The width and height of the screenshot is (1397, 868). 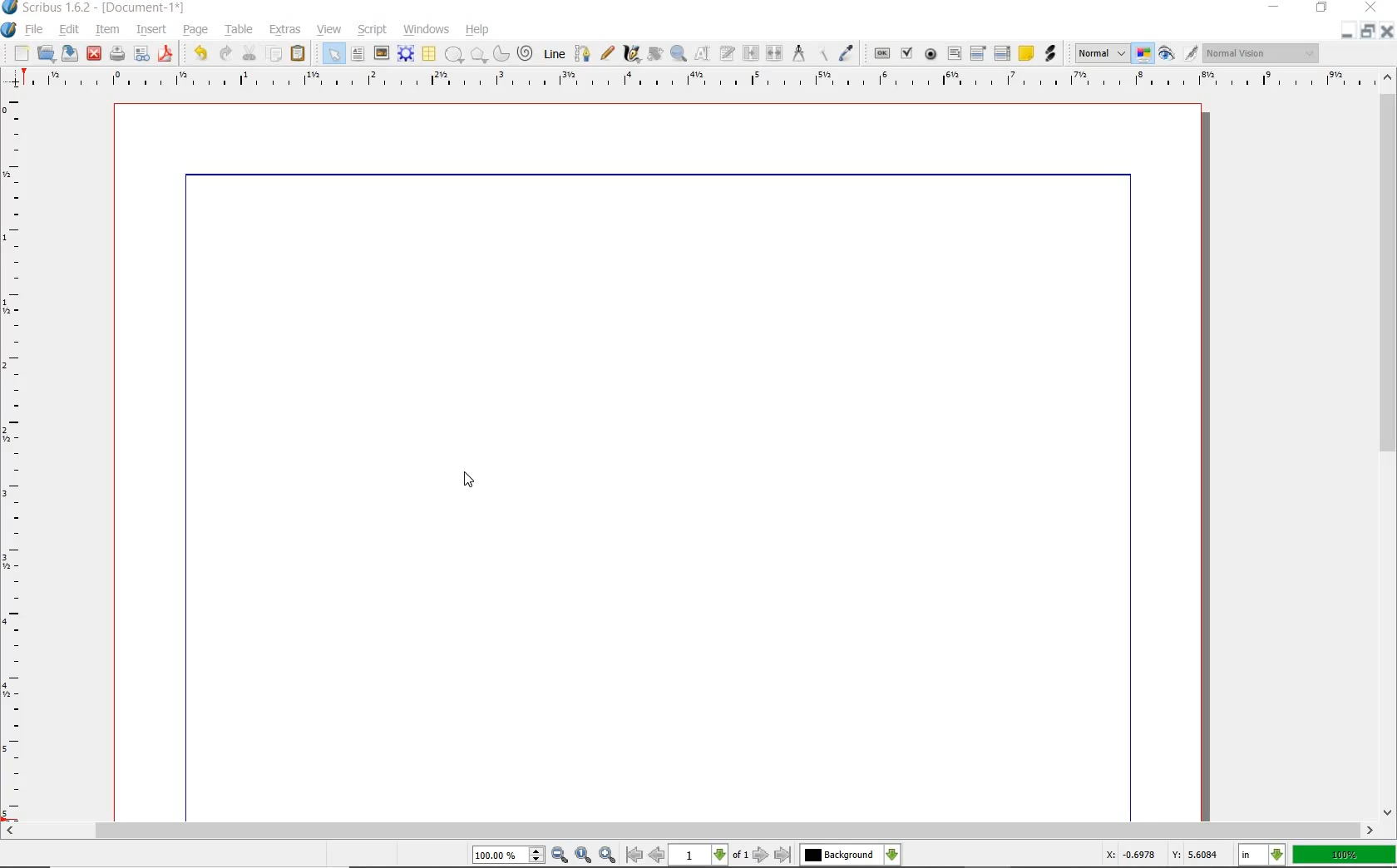 What do you see at coordinates (773, 52) in the screenshot?
I see `UNLINK TEXT FRAME` at bounding box center [773, 52].